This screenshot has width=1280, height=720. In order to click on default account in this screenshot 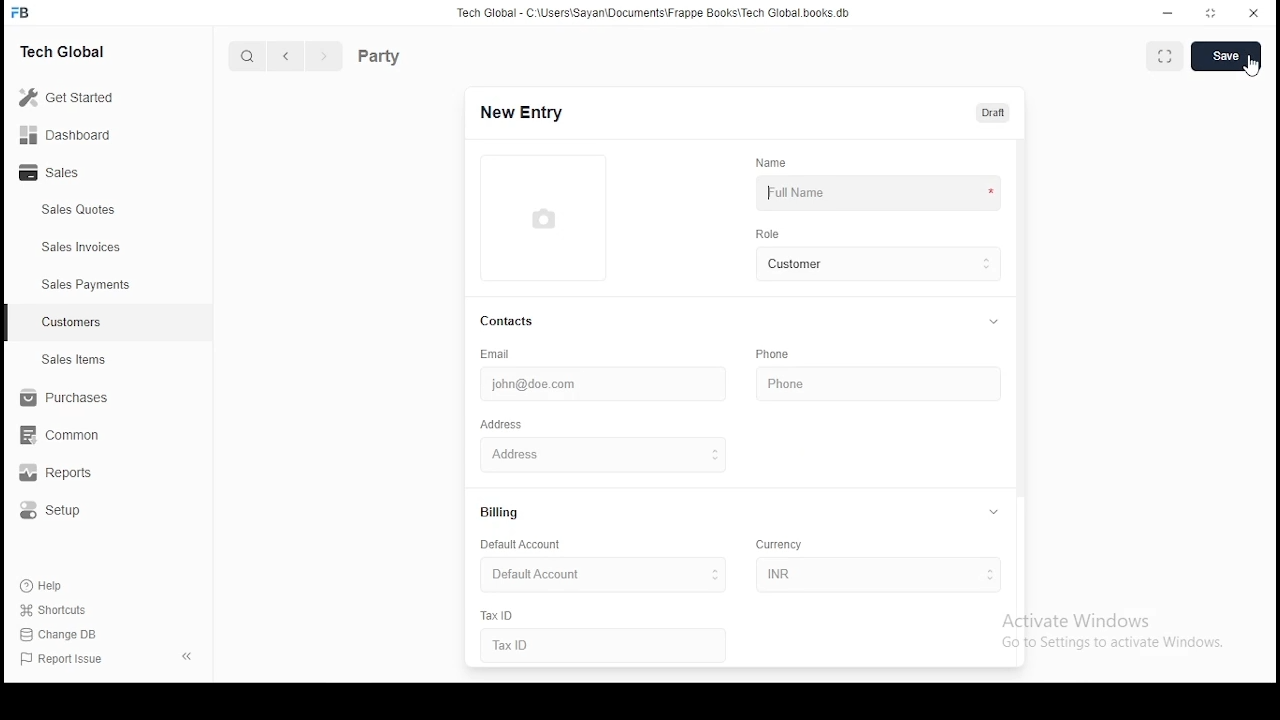, I will do `click(519, 545)`.